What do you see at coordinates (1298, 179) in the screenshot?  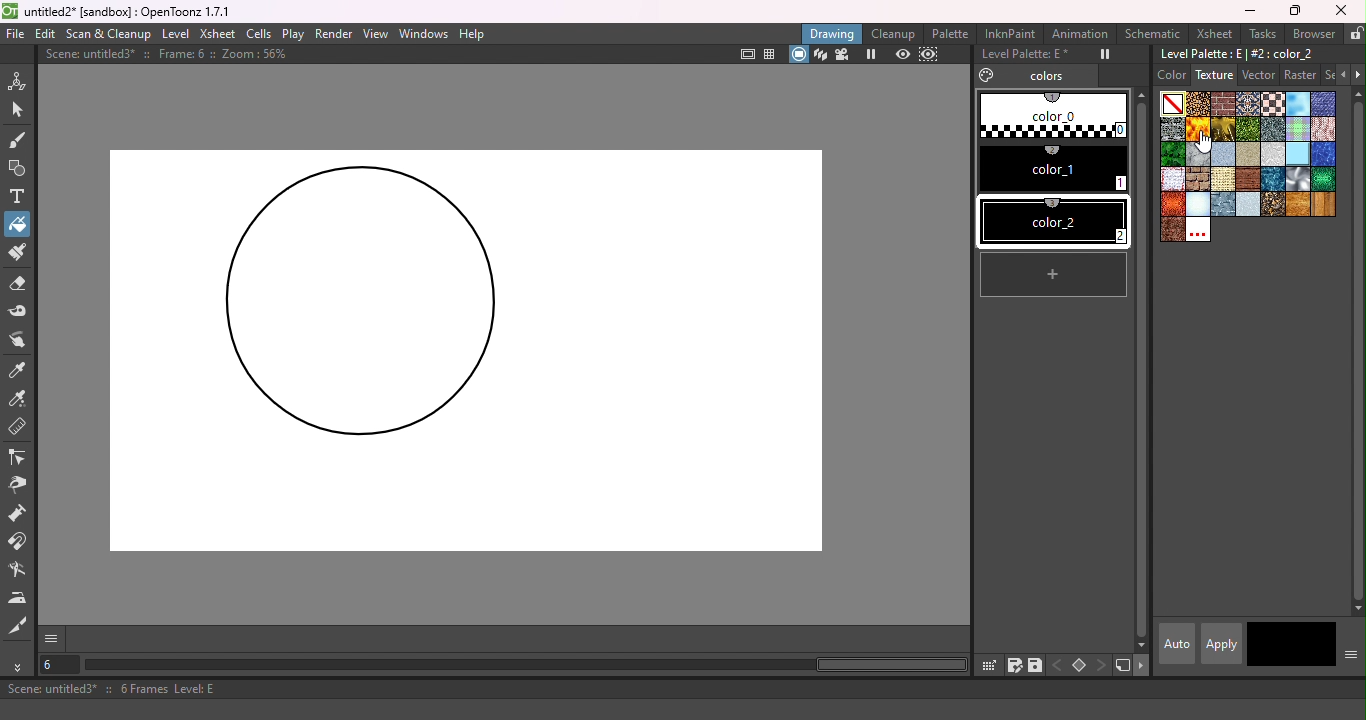 I see `Sil.bmp` at bounding box center [1298, 179].